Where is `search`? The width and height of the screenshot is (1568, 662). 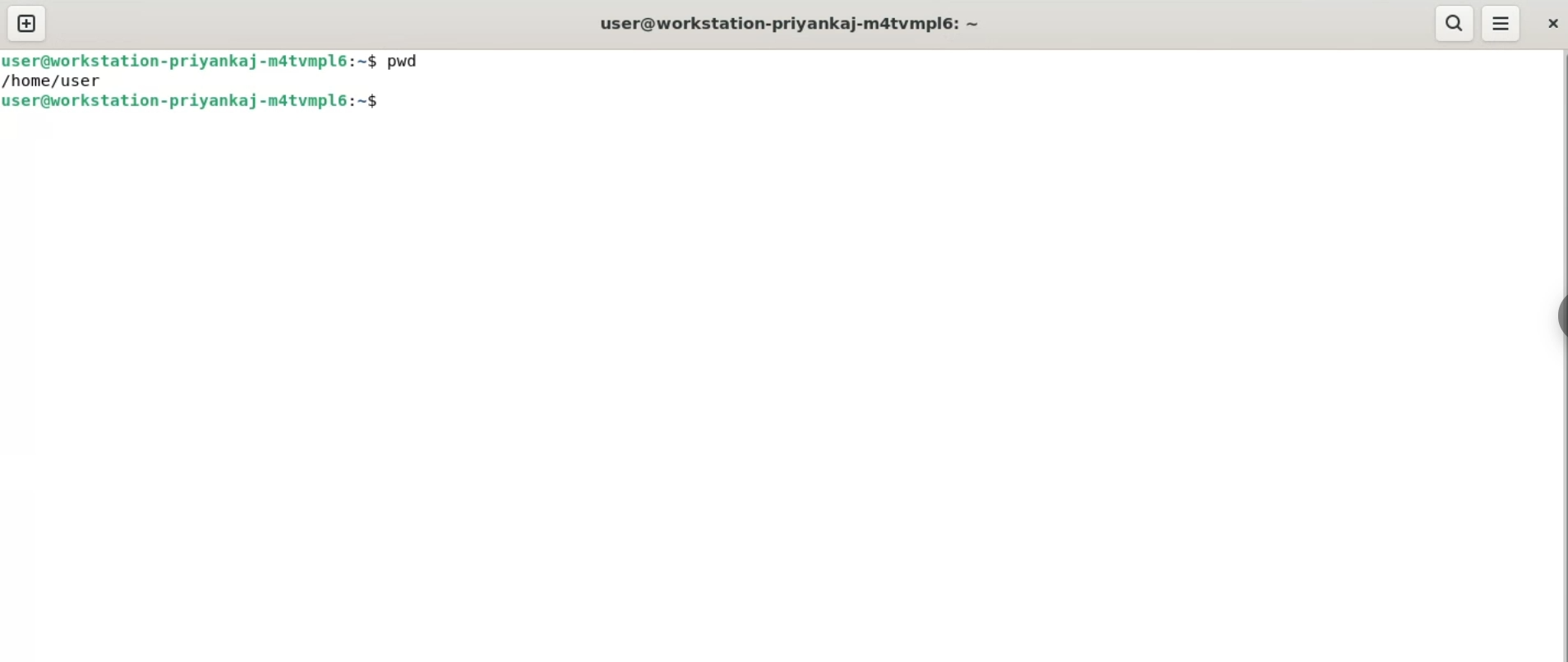
search is located at coordinates (1452, 23).